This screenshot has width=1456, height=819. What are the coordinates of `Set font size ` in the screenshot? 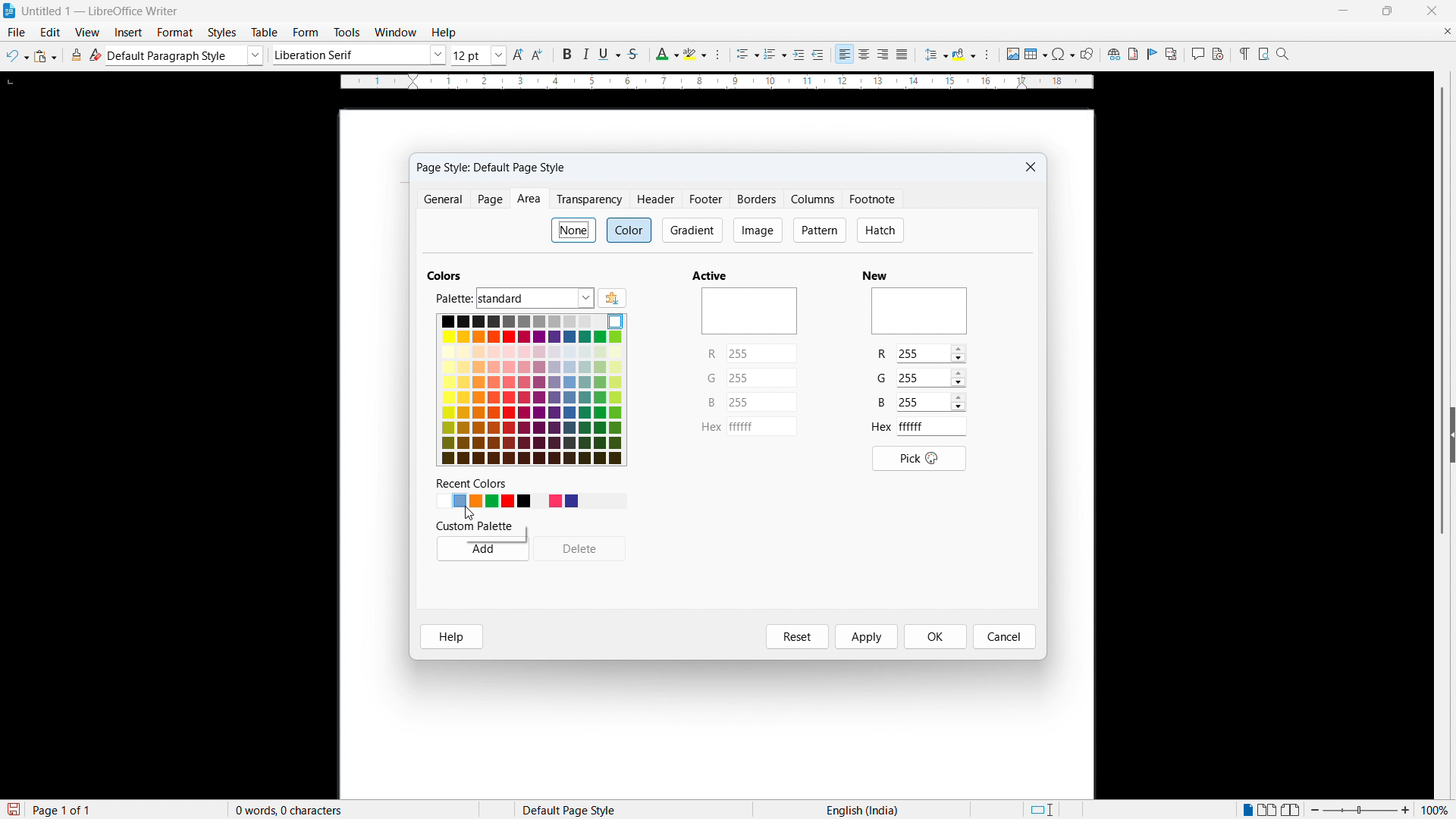 It's located at (479, 55).